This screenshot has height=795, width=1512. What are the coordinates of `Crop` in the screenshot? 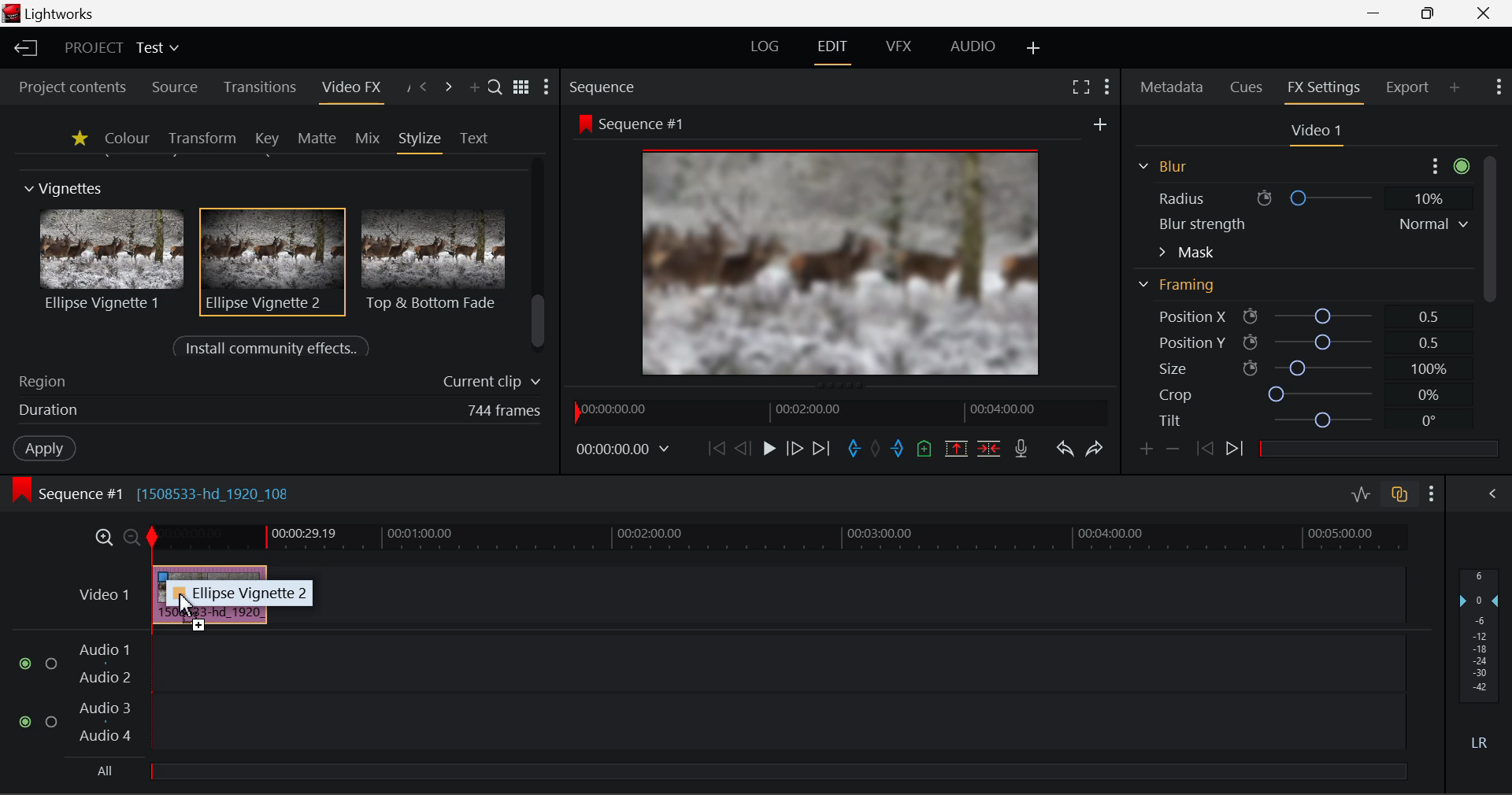 It's located at (1298, 395).